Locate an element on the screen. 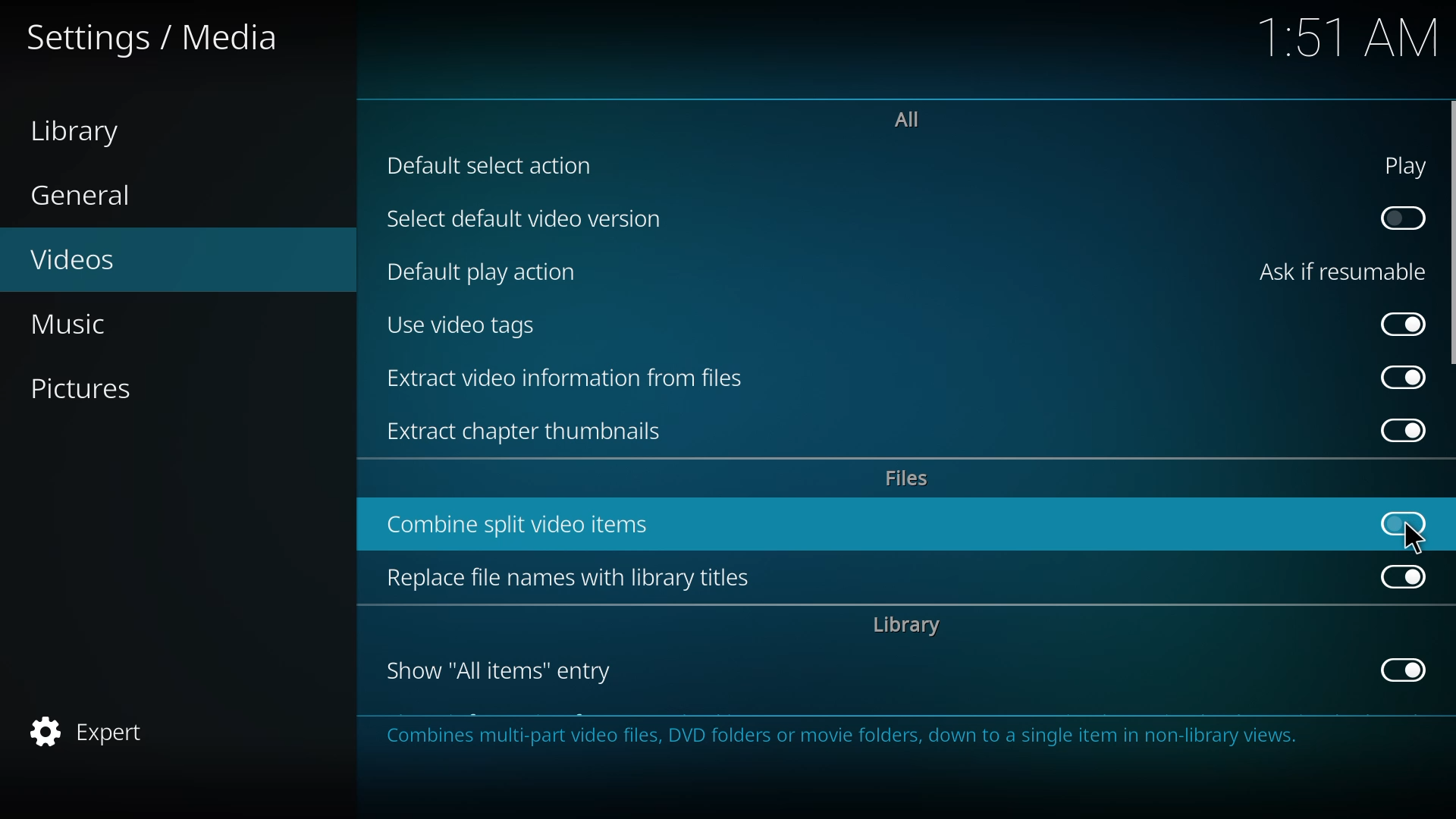 The height and width of the screenshot is (819, 1456). general is located at coordinates (84, 198).